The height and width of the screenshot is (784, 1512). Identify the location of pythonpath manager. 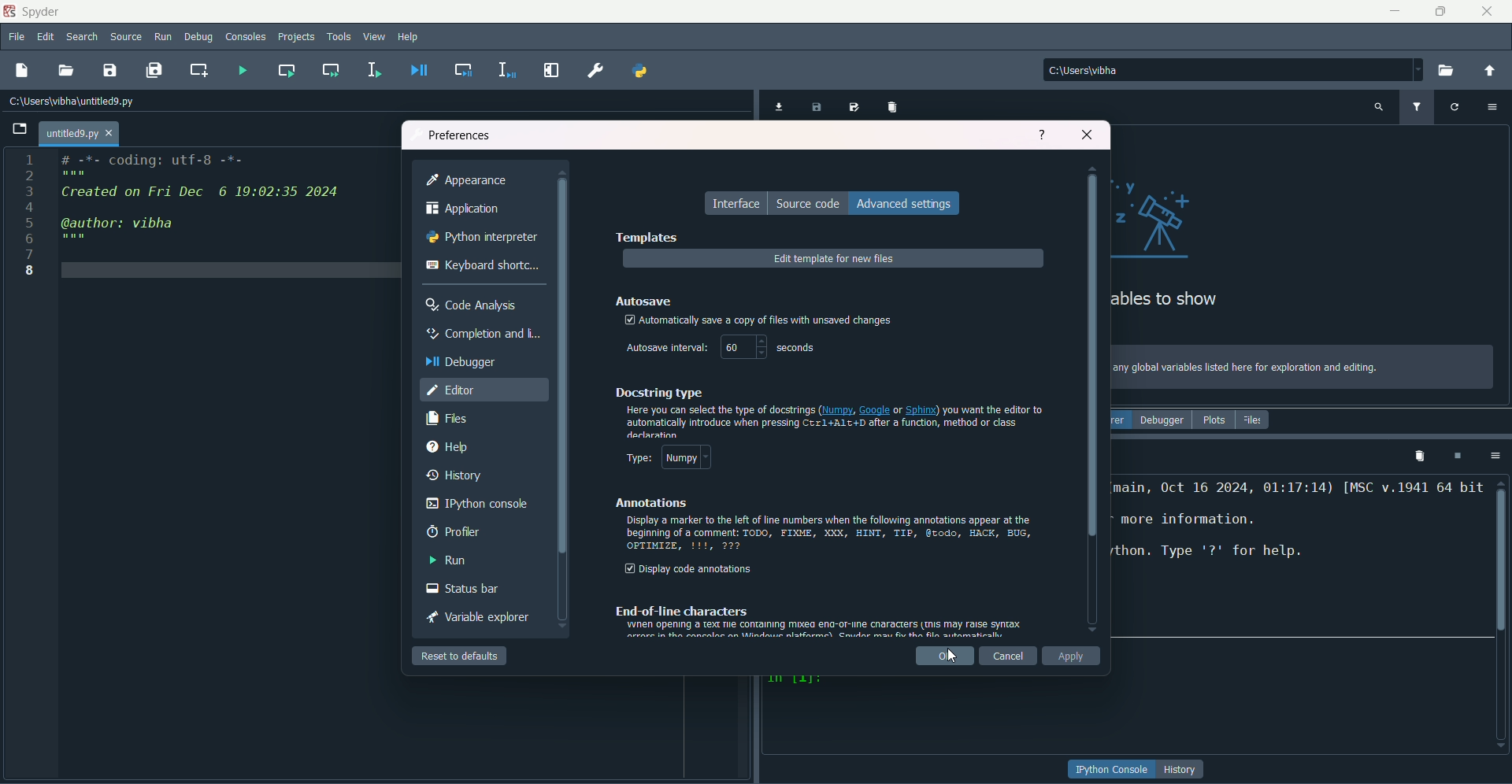
(642, 72).